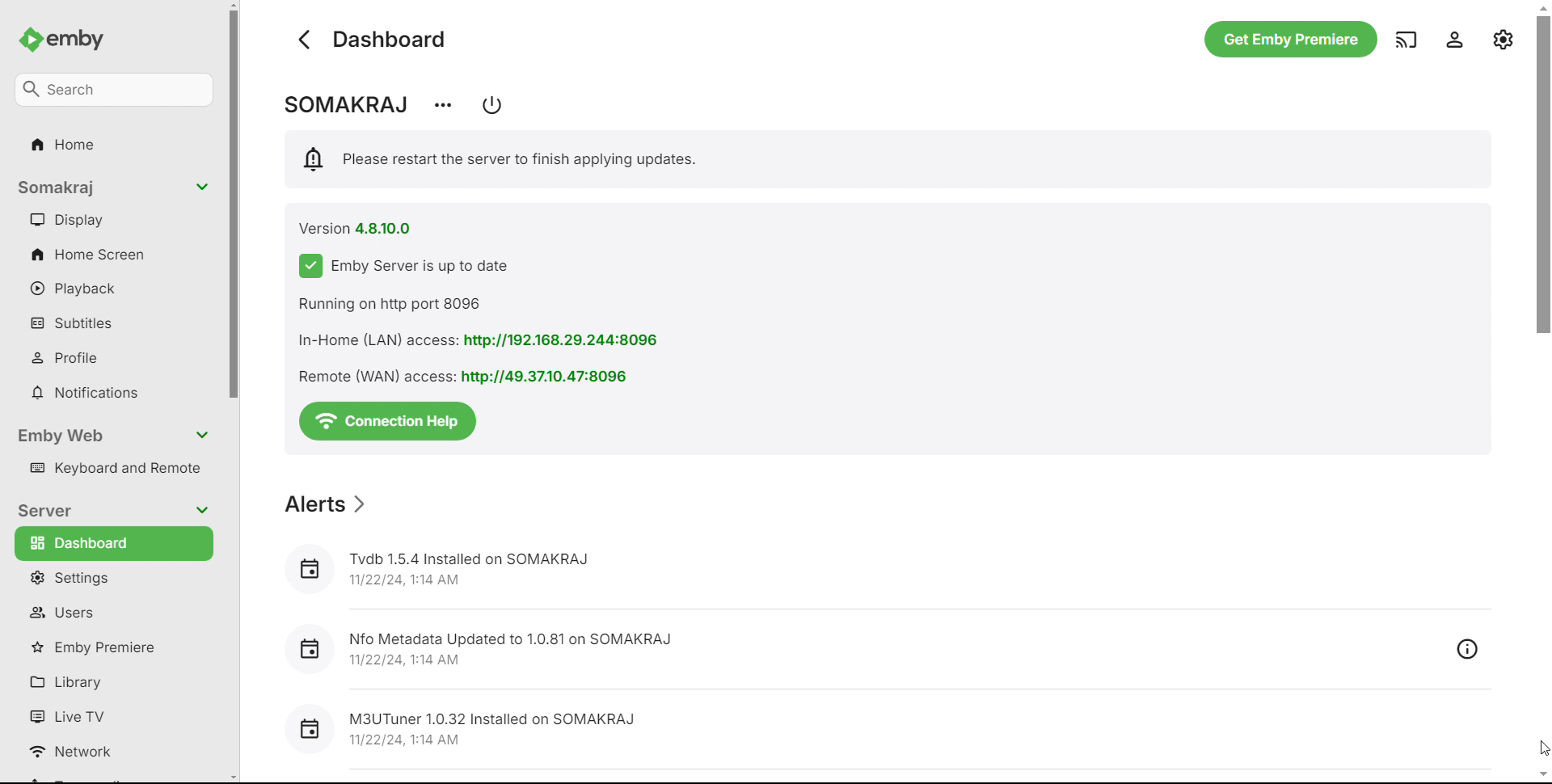 The image size is (1552, 784). Describe the element at coordinates (387, 422) in the screenshot. I see `connection help` at that location.